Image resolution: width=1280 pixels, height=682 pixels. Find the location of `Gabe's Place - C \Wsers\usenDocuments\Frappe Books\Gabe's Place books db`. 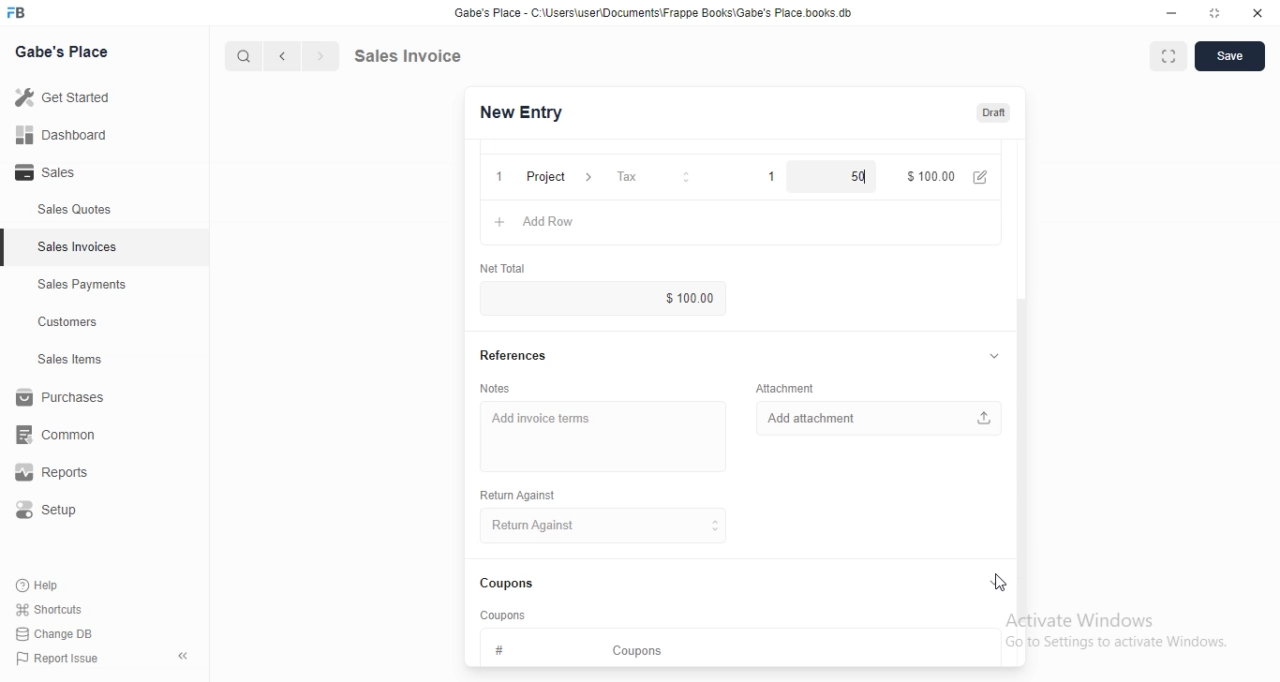

Gabe's Place - C \Wsers\usenDocuments\Frappe Books\Gabe's Place books db is located at coordinates (658, 16).